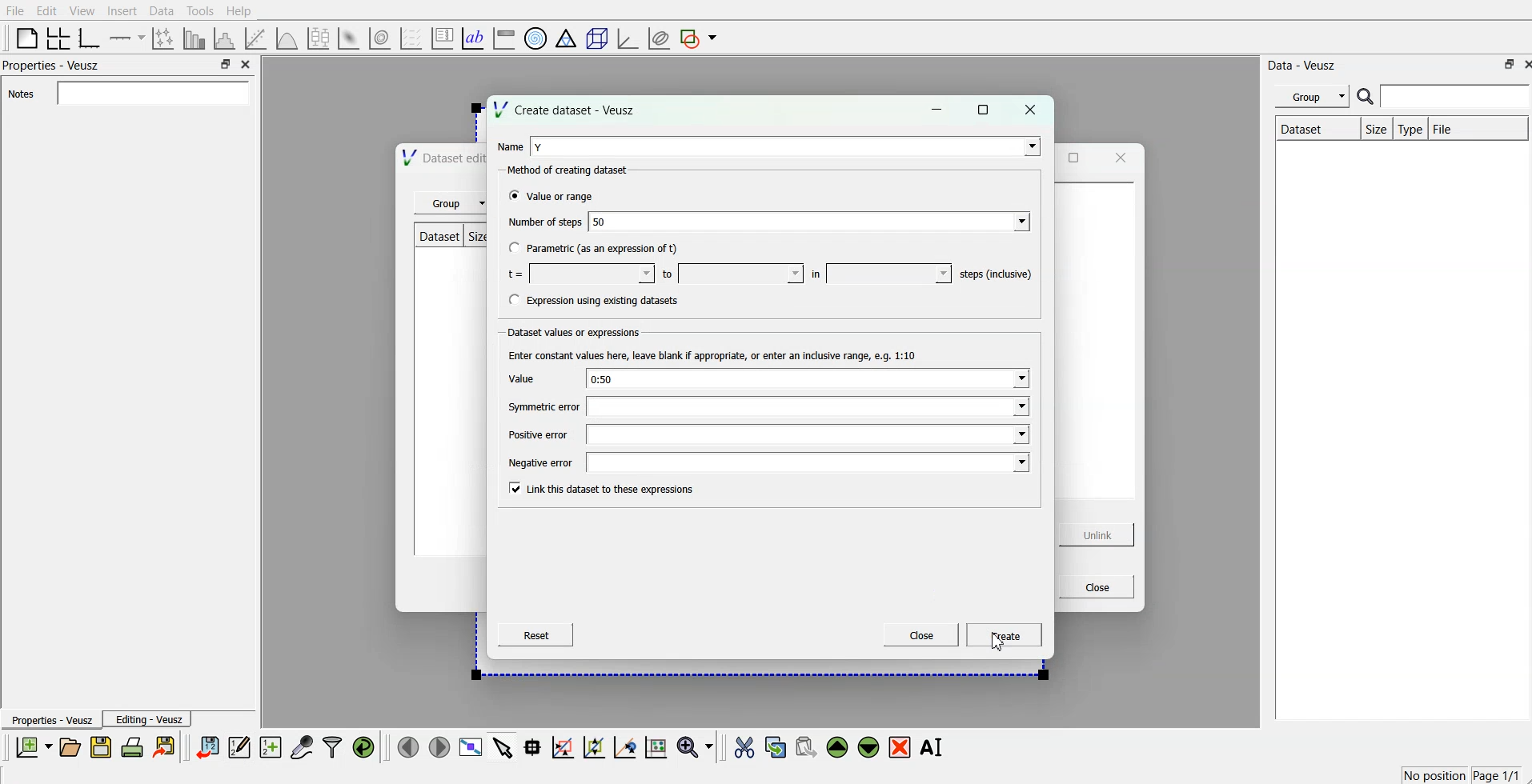 The height and width of the screenshot is (784, 1532). I want to click on Y, so click(787, 146).